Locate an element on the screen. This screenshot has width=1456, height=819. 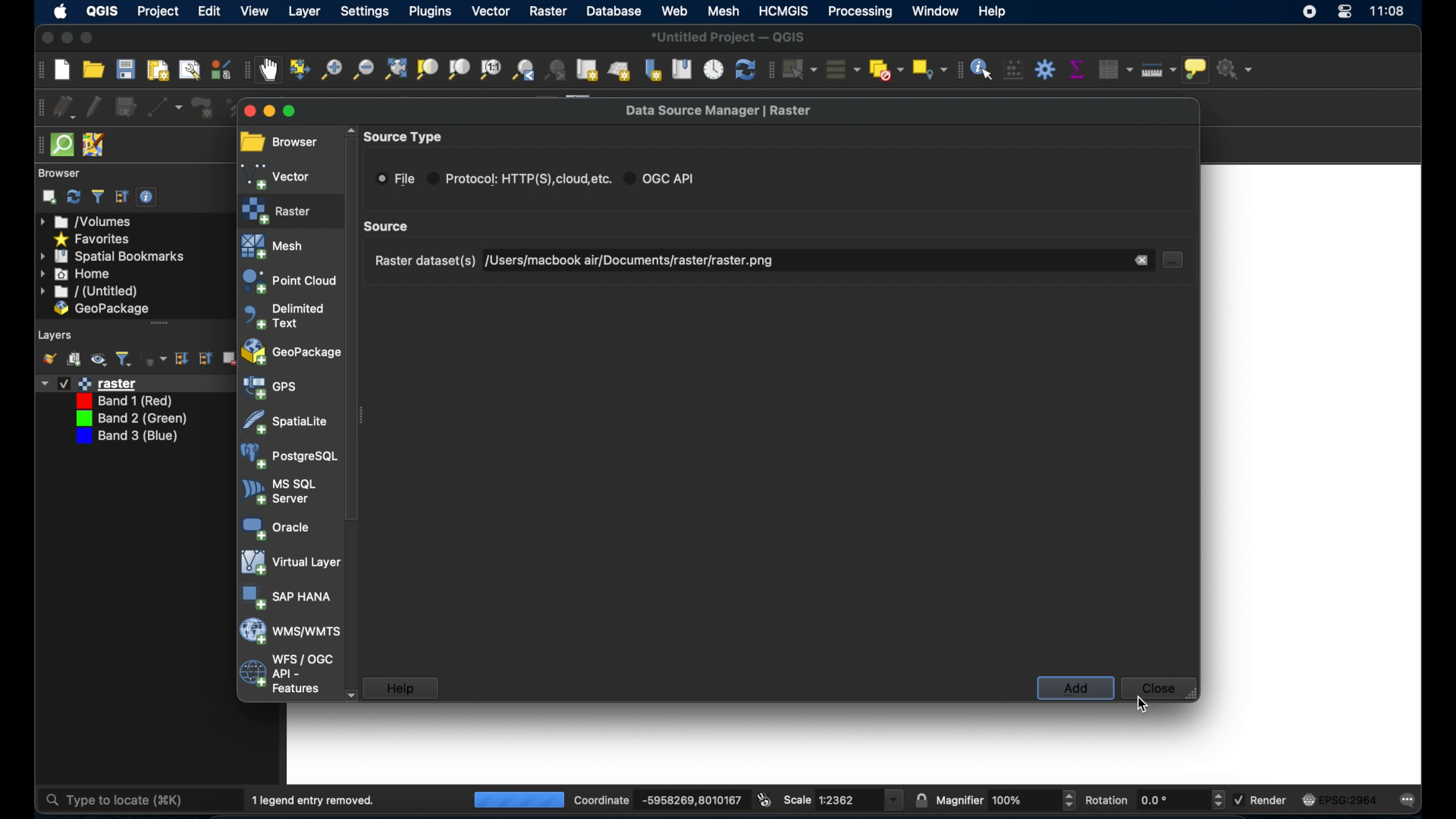
help is located at coordinates (403, 688).